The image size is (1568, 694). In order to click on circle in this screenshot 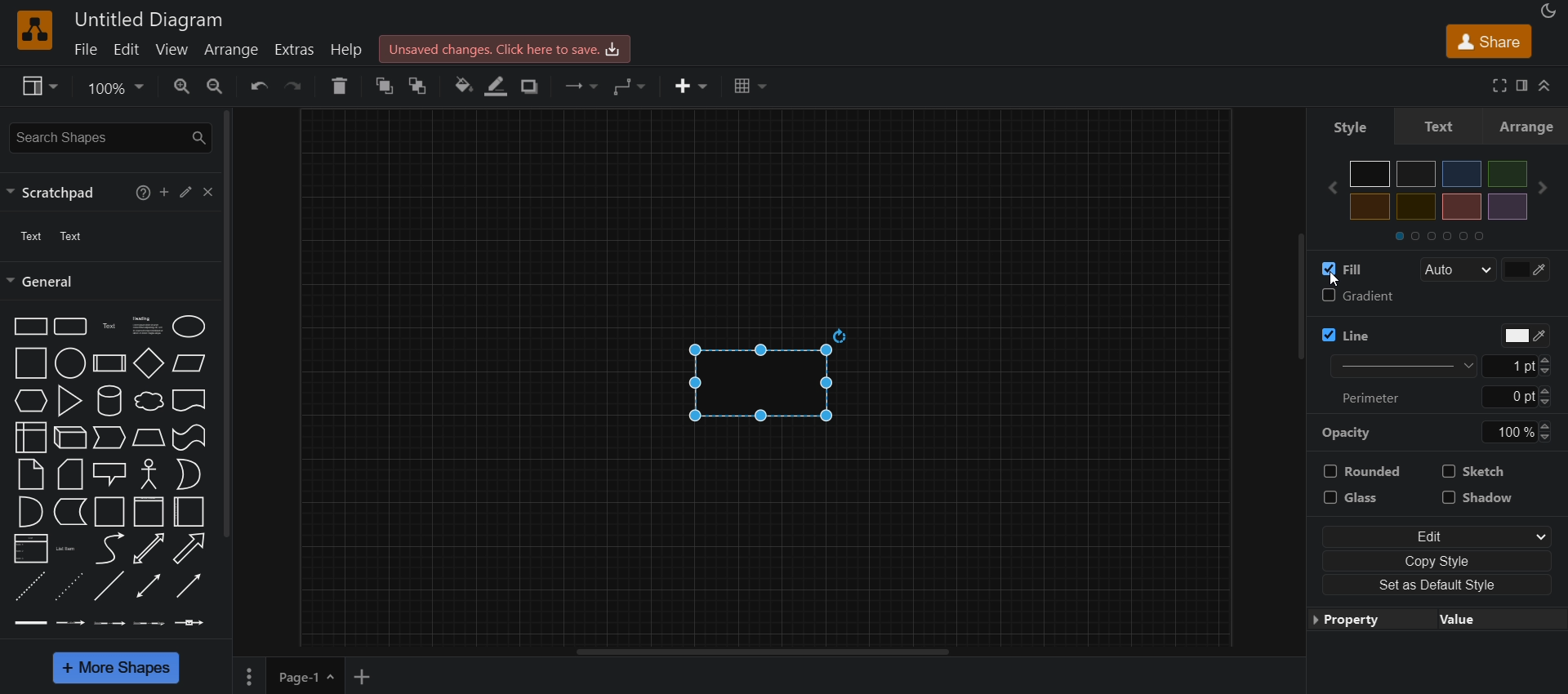, I will do `click(70, 363)`.